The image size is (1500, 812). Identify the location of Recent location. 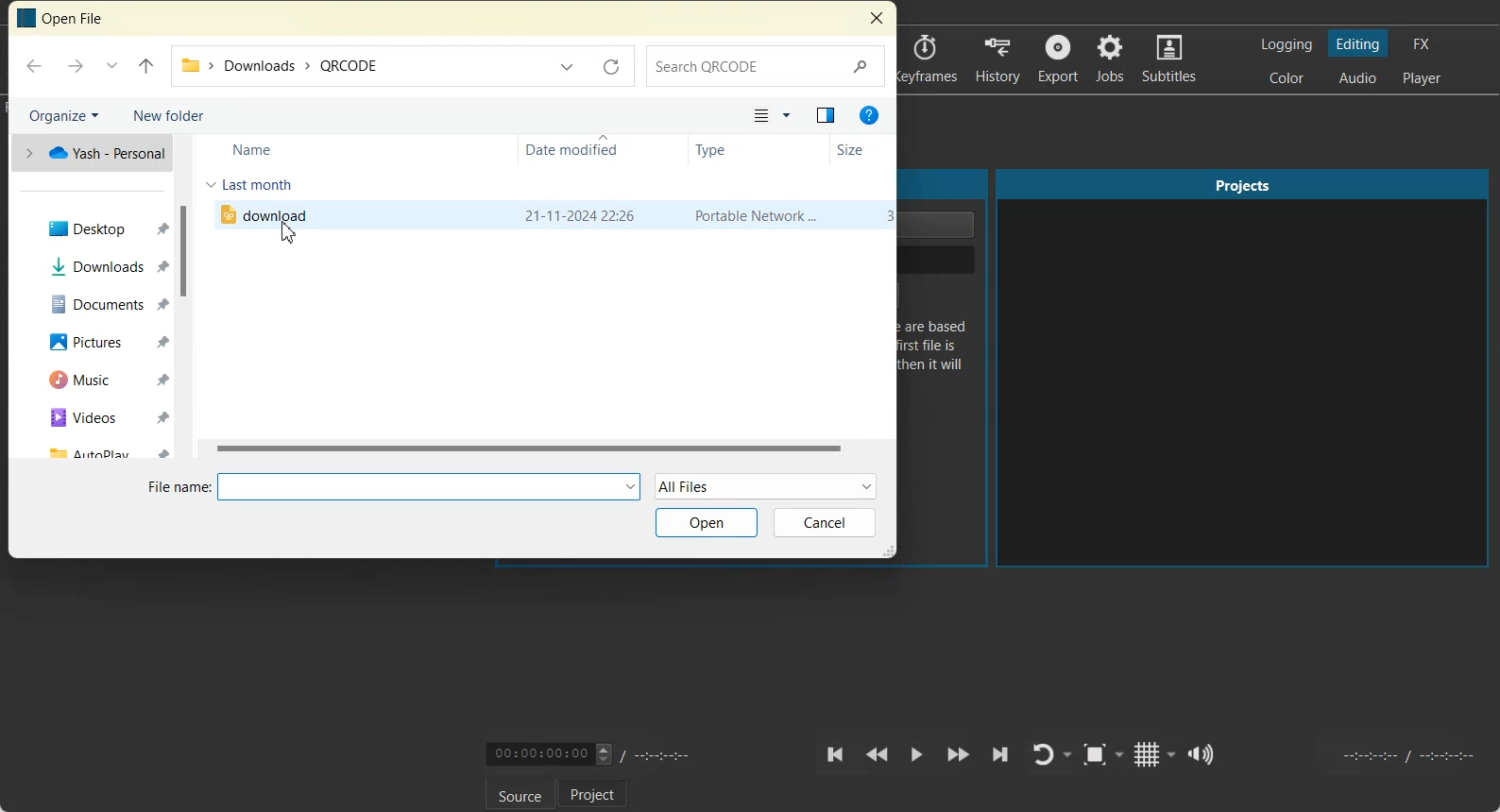
(111, 66).